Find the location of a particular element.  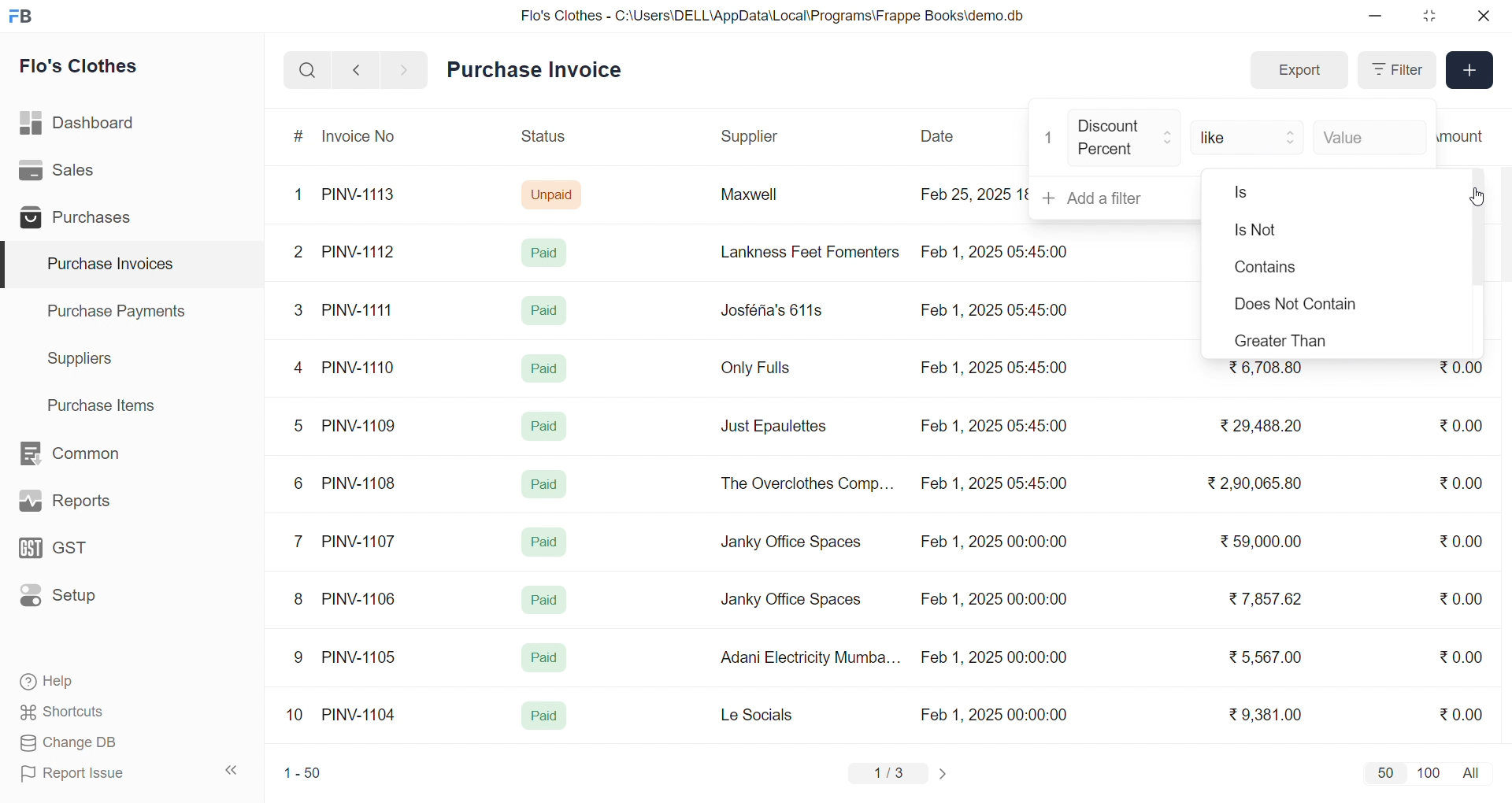

₹0.00 is located at coordinates (1462, 656).